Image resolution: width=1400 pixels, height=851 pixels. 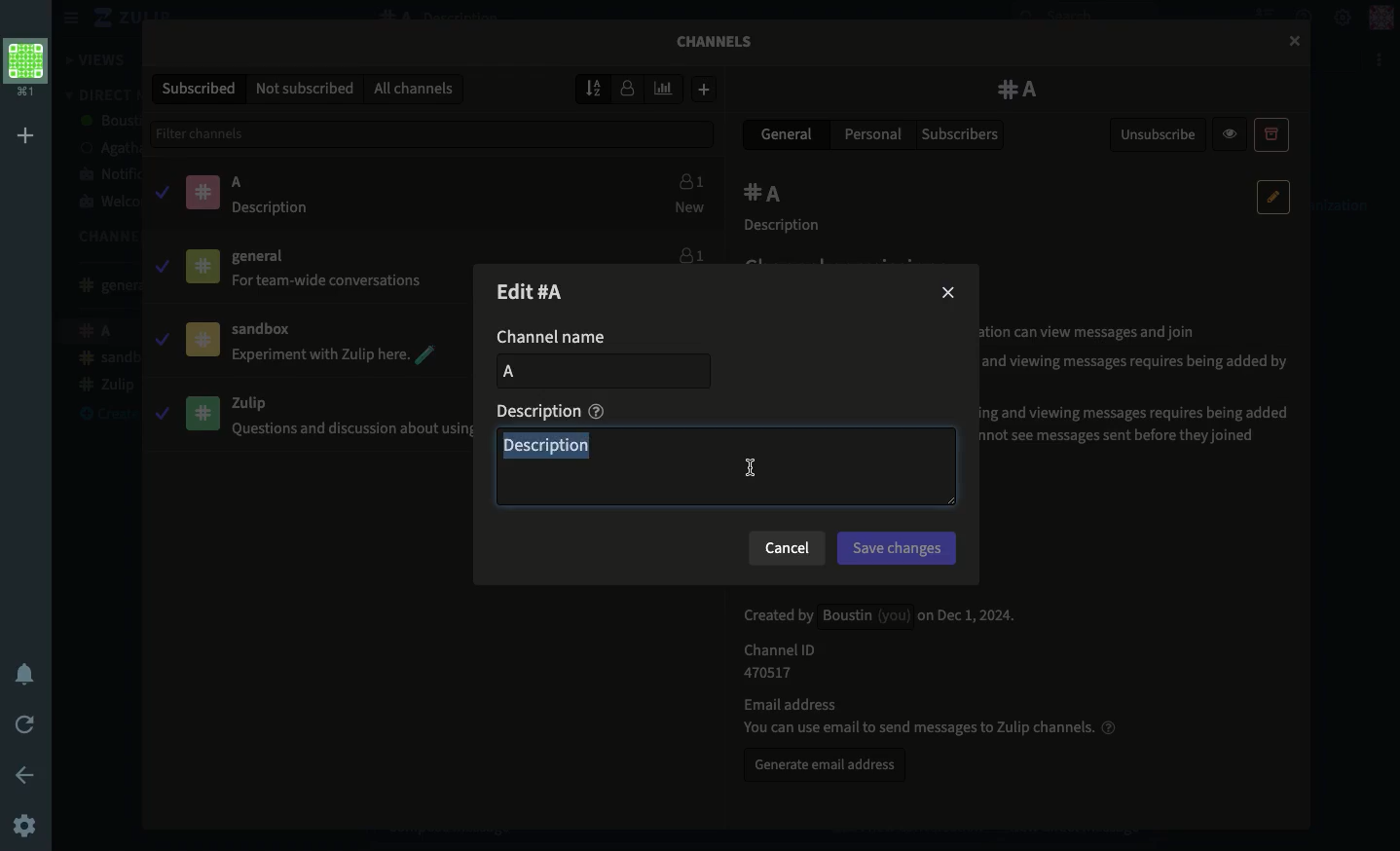 What do you see at coordinates (704, 90) in the screenshot?
I see `Add` at bounding box center [704, 90].